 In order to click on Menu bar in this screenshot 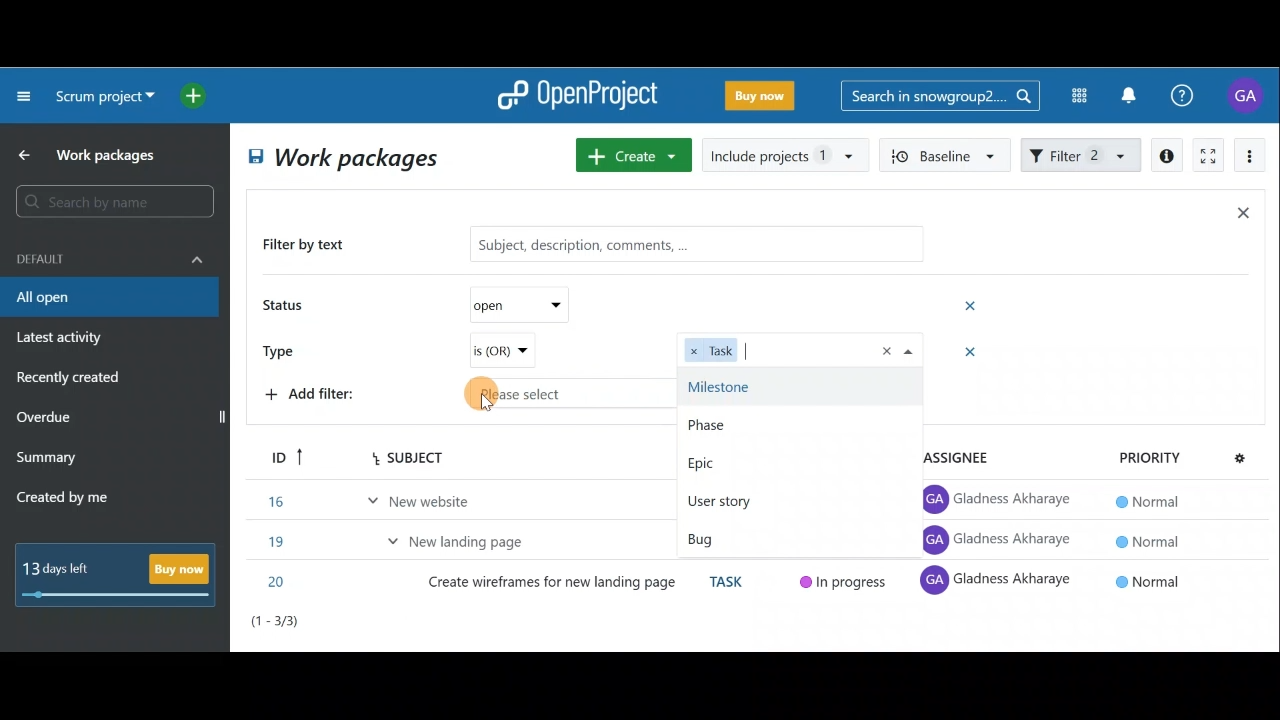, I will do `click(382, 457)`.